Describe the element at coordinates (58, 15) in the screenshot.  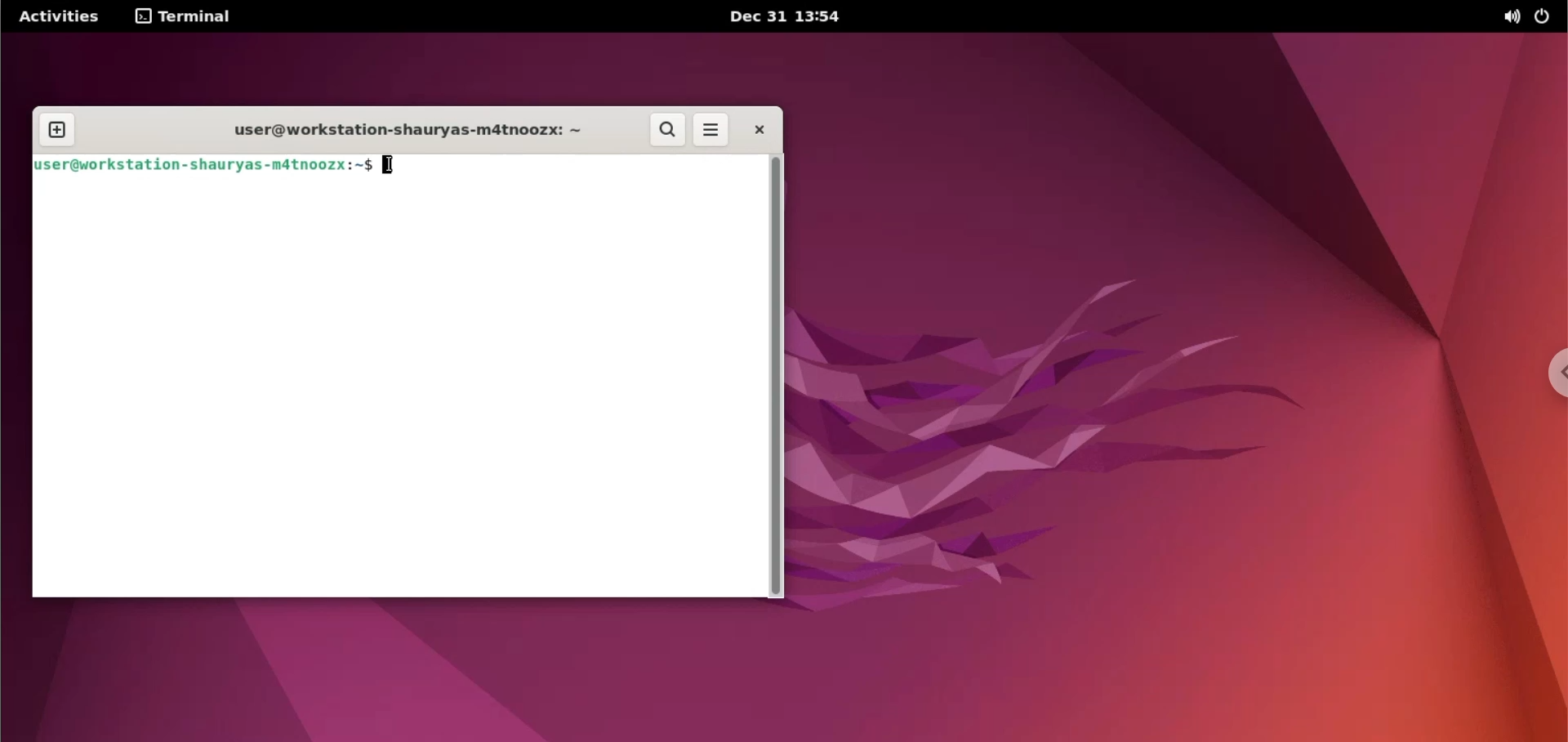
I see `Activities` at that location.